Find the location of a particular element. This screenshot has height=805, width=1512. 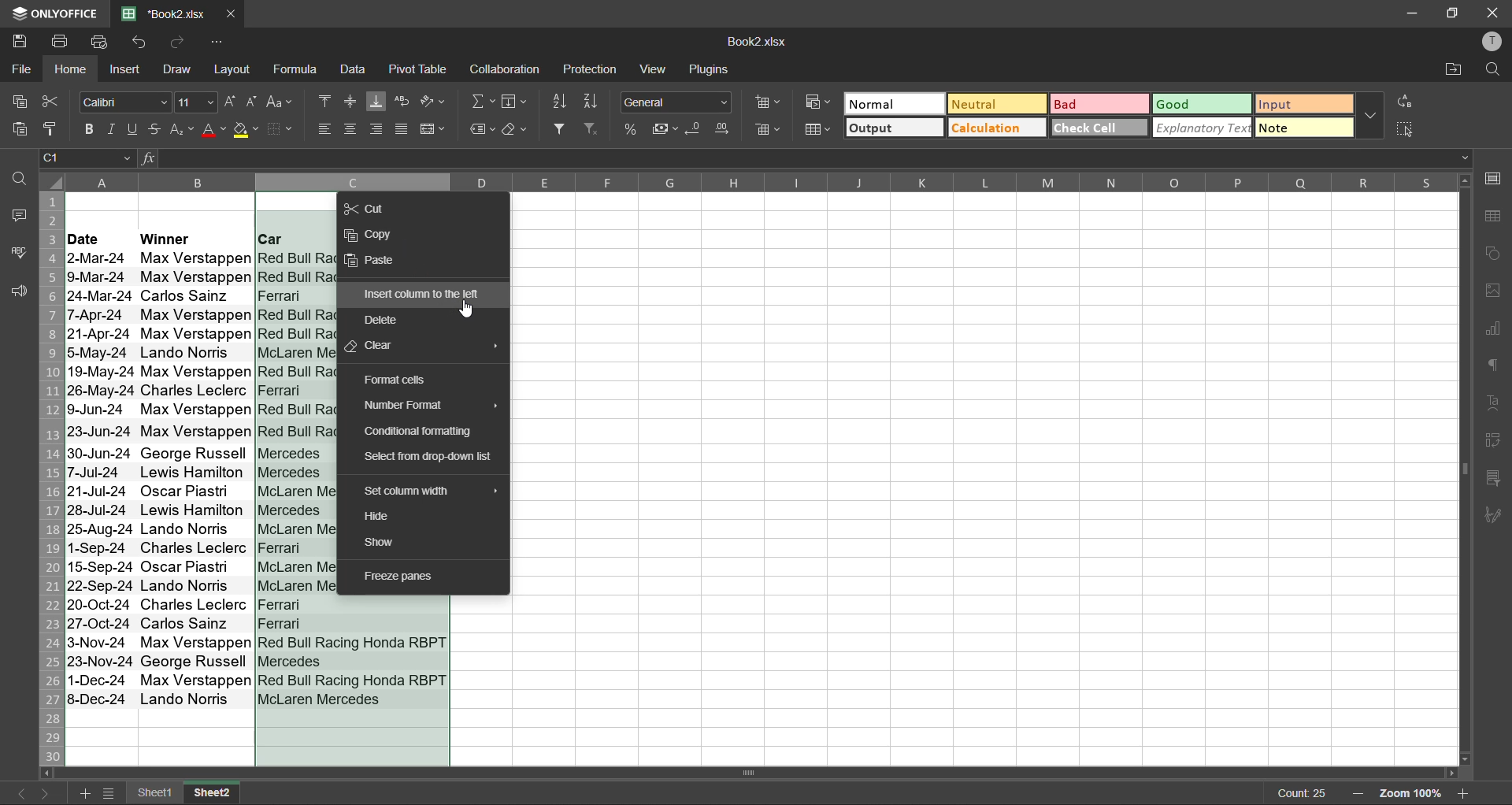

remove cells is located at coordinates (769, 129).